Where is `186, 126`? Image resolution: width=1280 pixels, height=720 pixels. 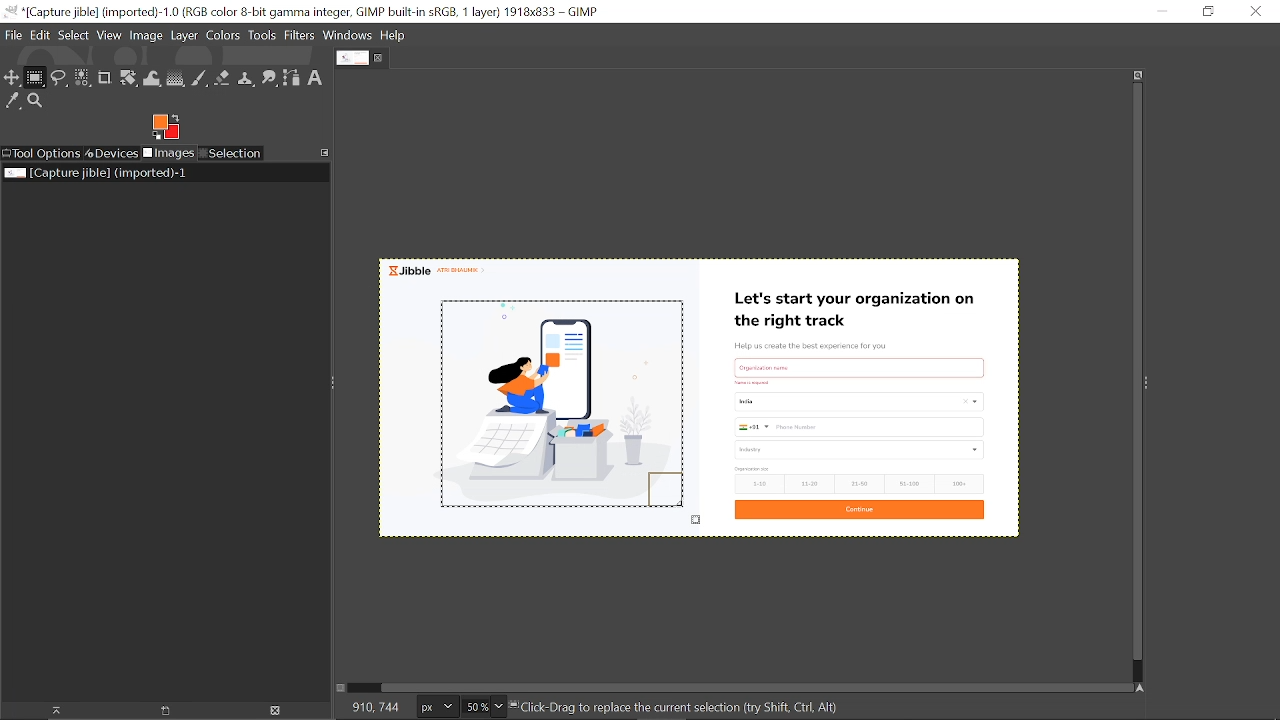
186, 126 is located at coordinates (369, 708).